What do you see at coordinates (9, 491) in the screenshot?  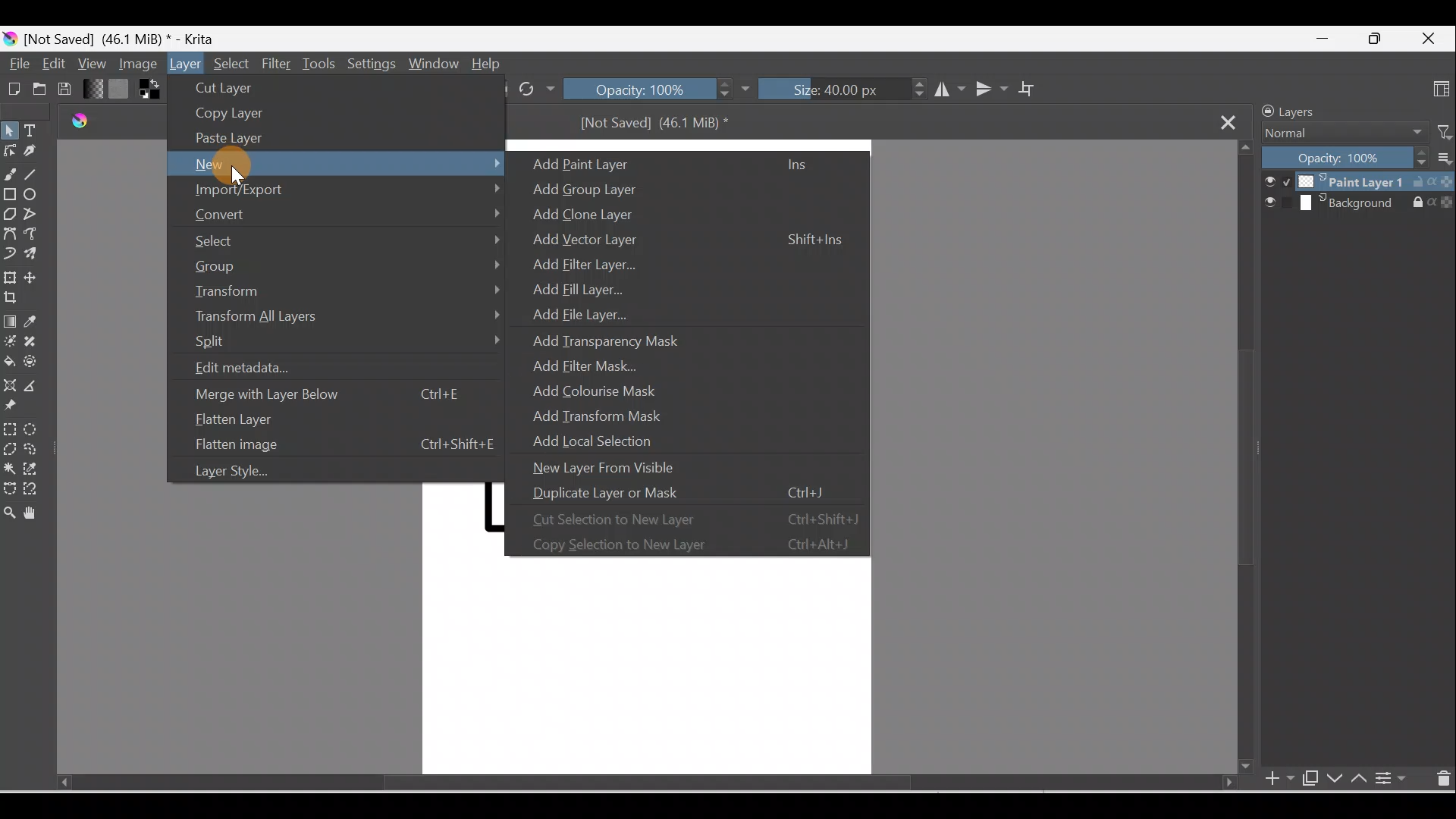 I see `Bezier curve selection tool` at bounding box center [9, 491].